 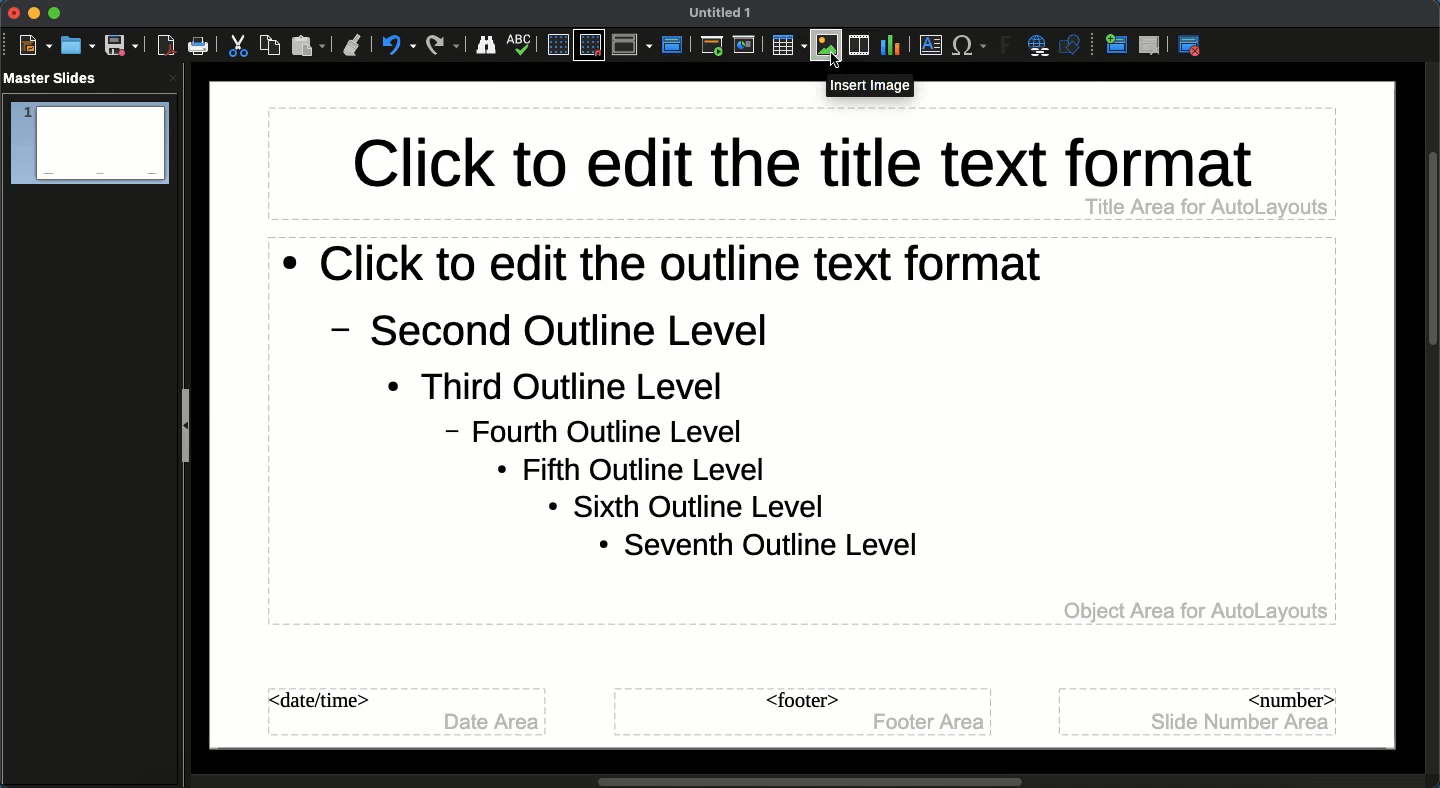 I want to click on New master, so click(x=1117, y=43).